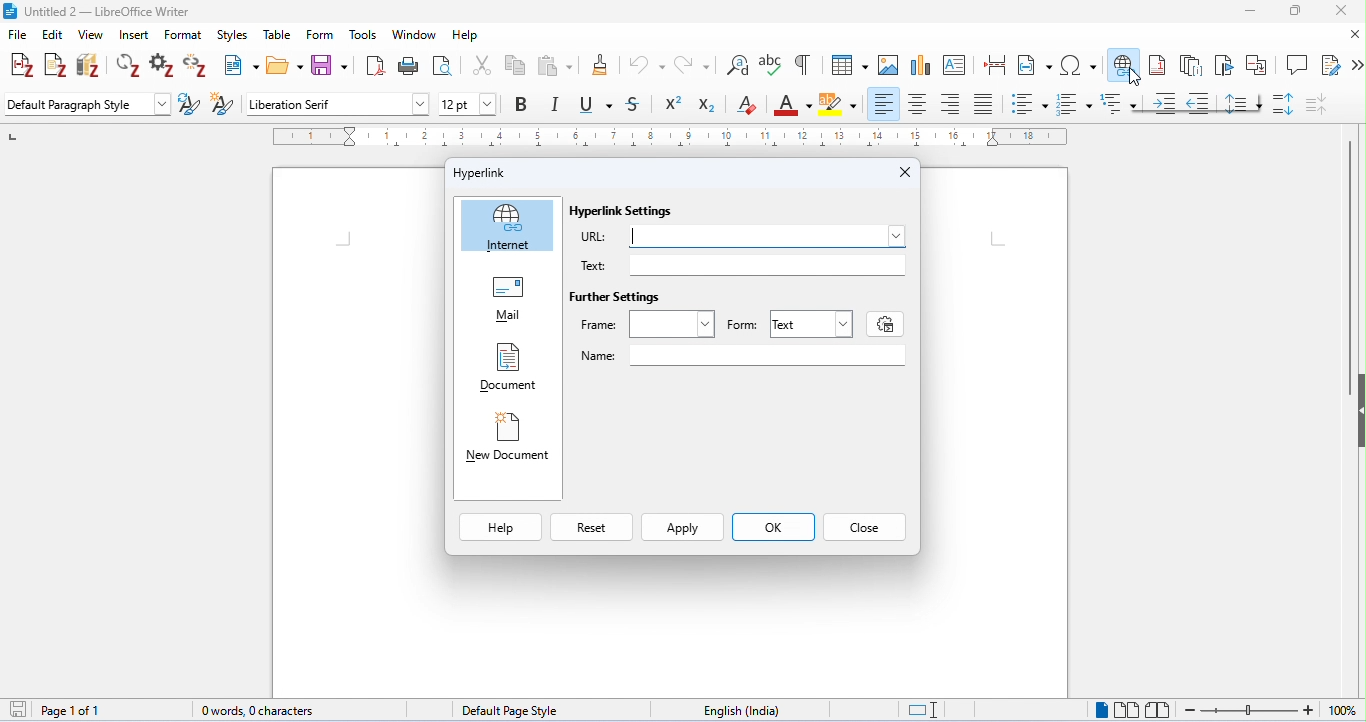  What do you see at coordinates (511, 711) in the screenshot?
I see `default page style` at bounding box center [511, 711].